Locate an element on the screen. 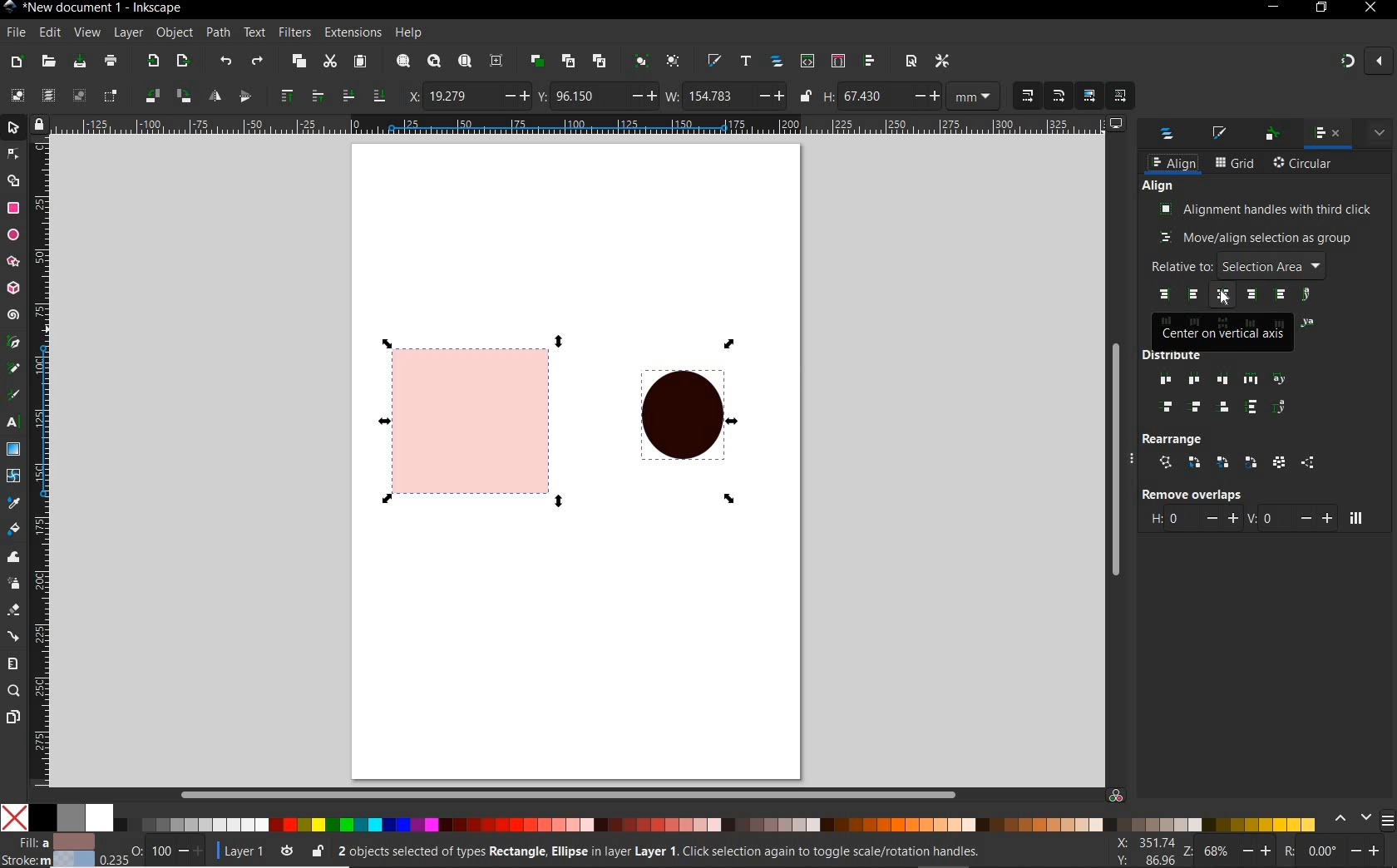 This screenshot has height=868, width=1397. view is located at coordinates (86, 31).